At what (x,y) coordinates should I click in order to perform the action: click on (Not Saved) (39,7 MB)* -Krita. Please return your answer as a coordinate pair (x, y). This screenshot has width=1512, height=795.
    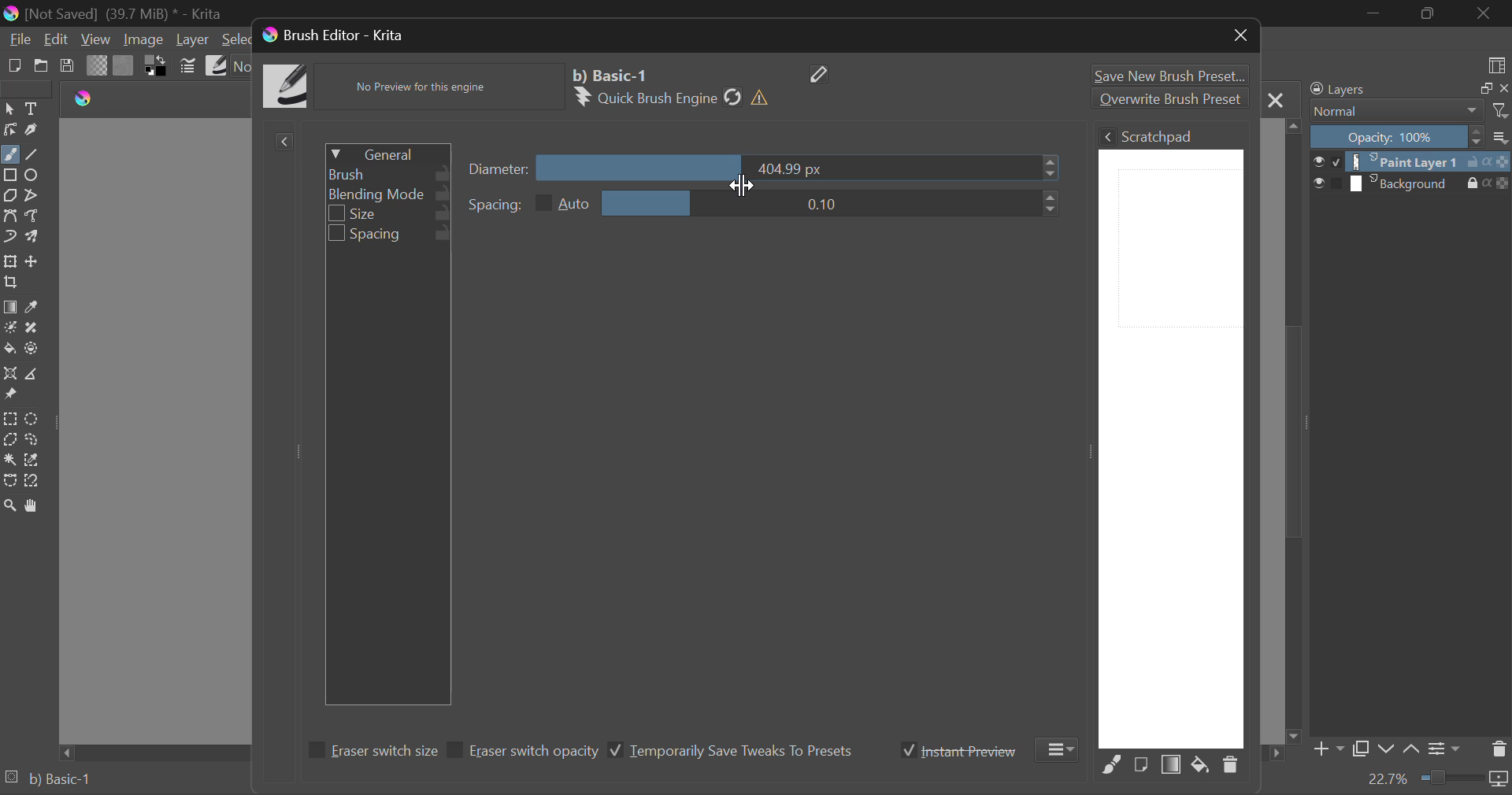
    Looking at the image, I should click on (113, 13).